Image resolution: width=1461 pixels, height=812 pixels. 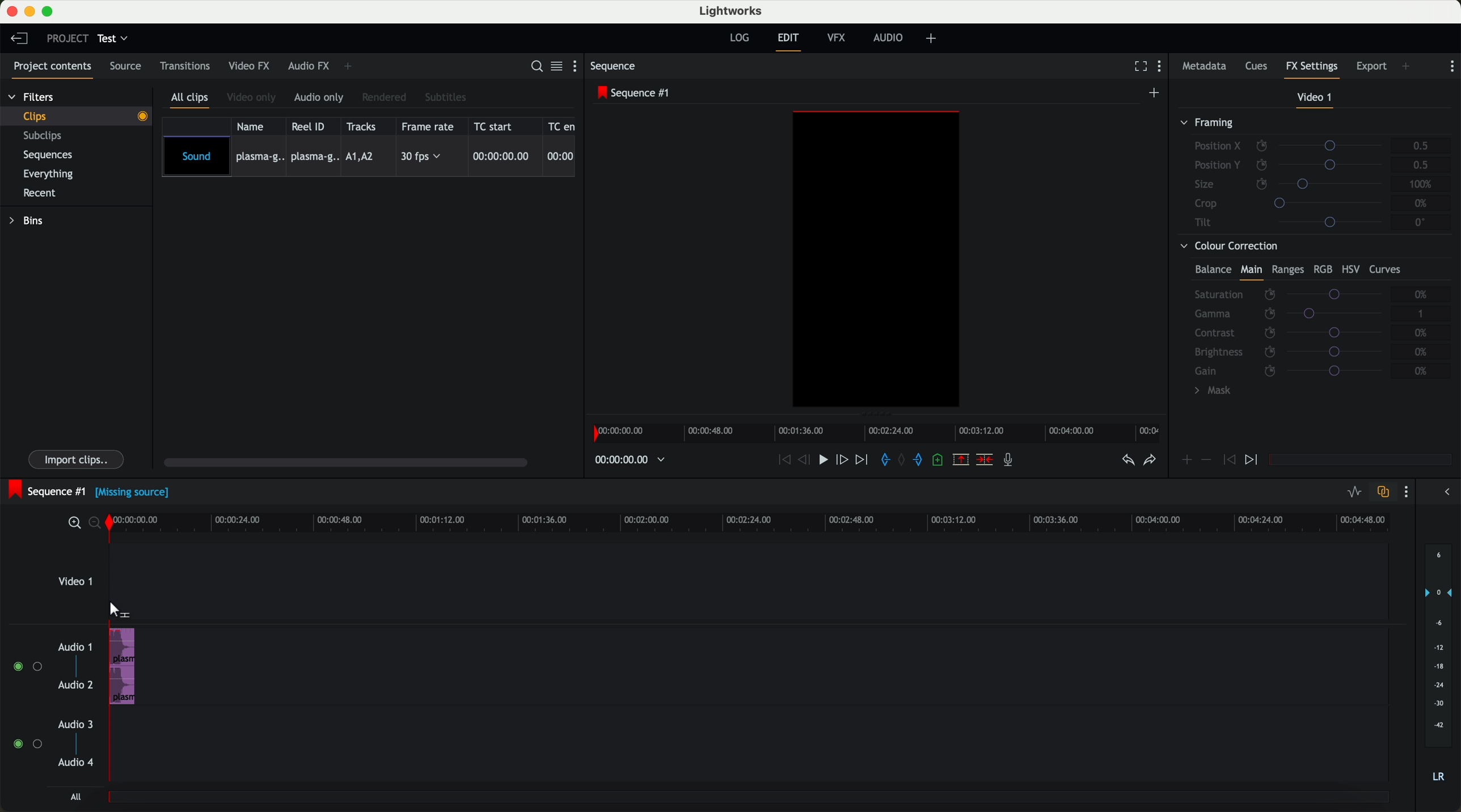 I want to click on toggle audio levels editing, so click(x=1354, y=492).